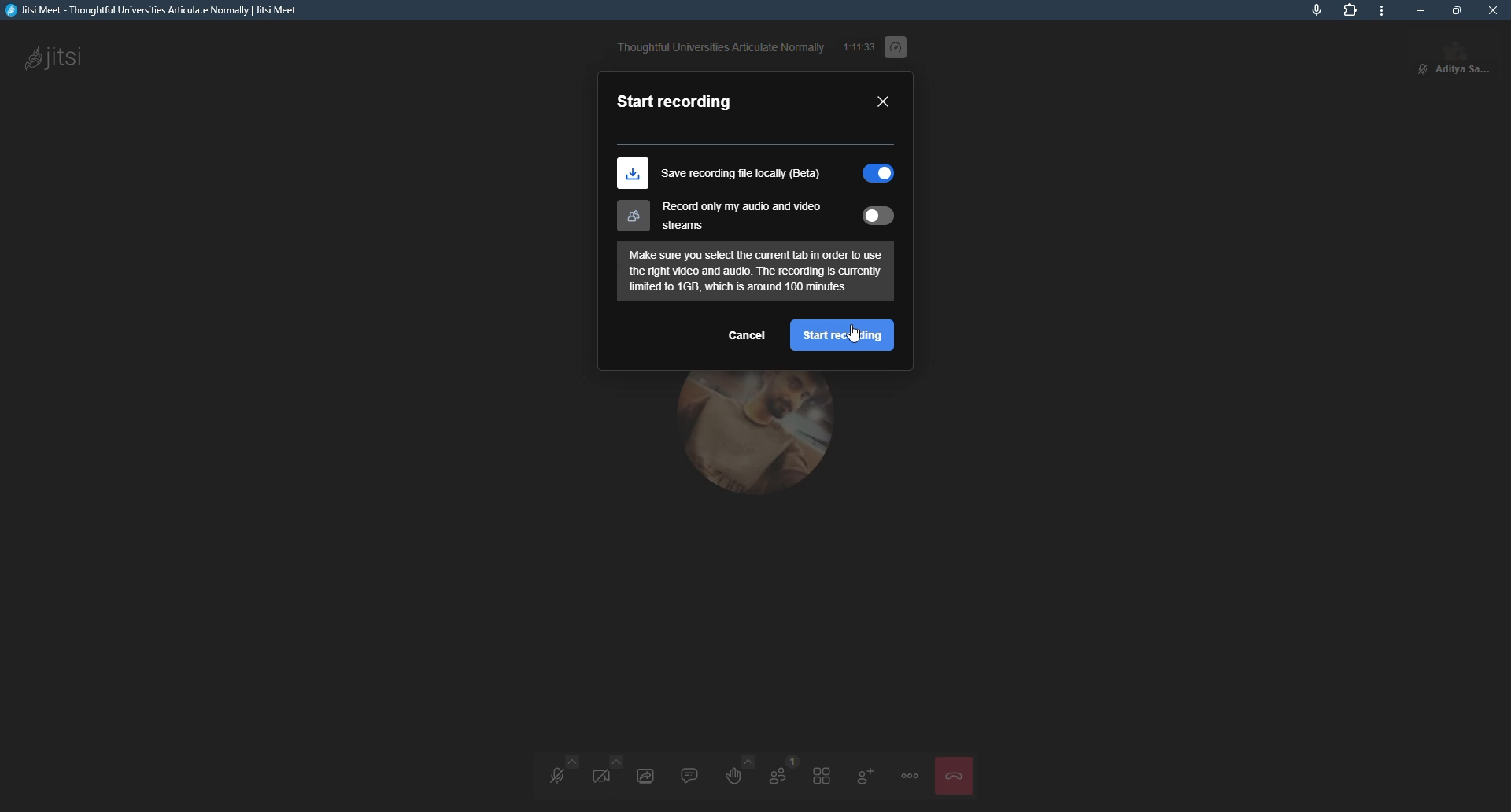 The width and height of the screenshot is (1511, 812). Describe the element at coordinates (737, 773) in the screenshot. I see `raise hand` at that location.